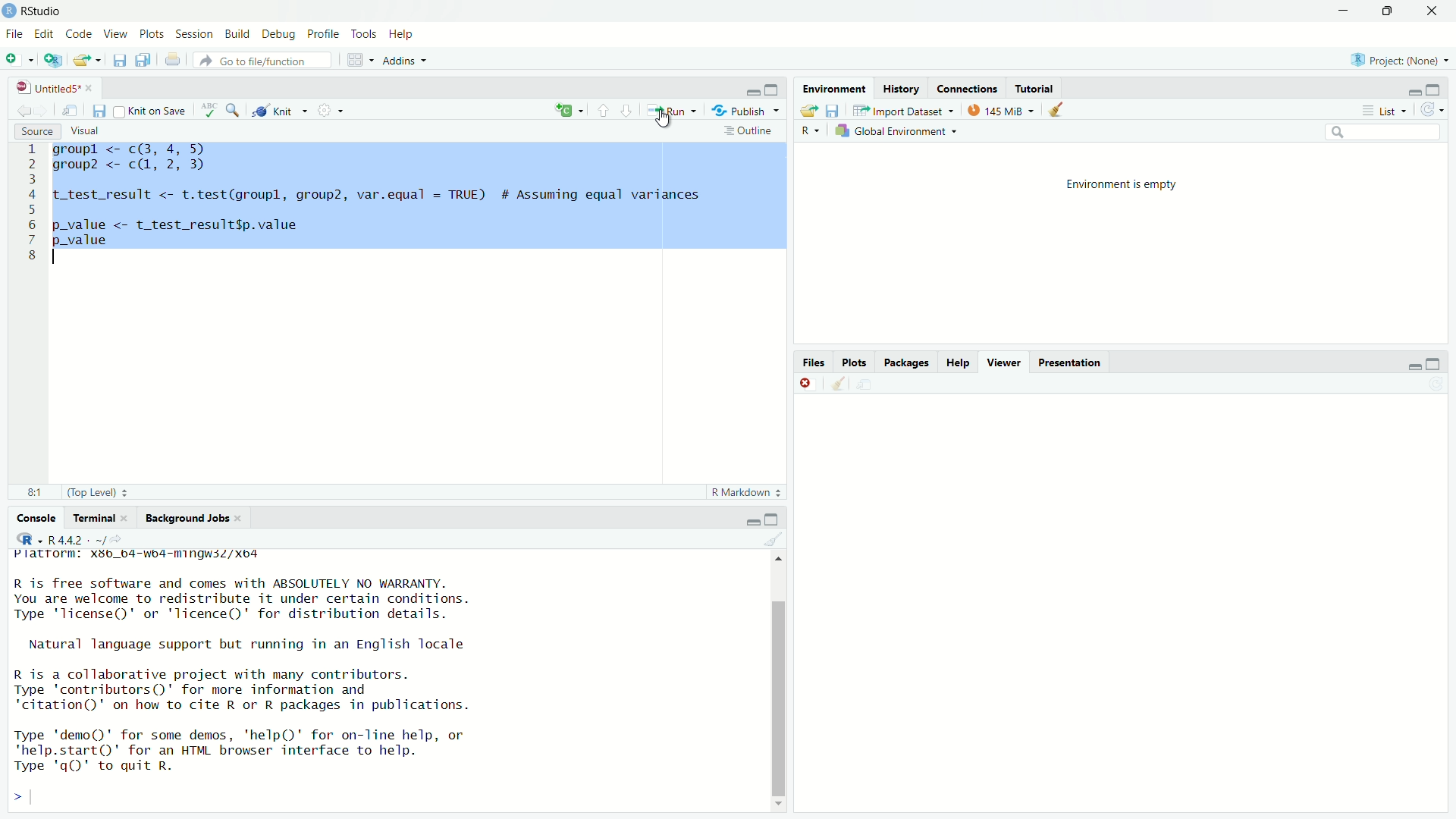 The width and height of the screenshot is (1456, 819). Describe the element at coordinates (331, 109) in the screenshot. I see `settings` at that location.